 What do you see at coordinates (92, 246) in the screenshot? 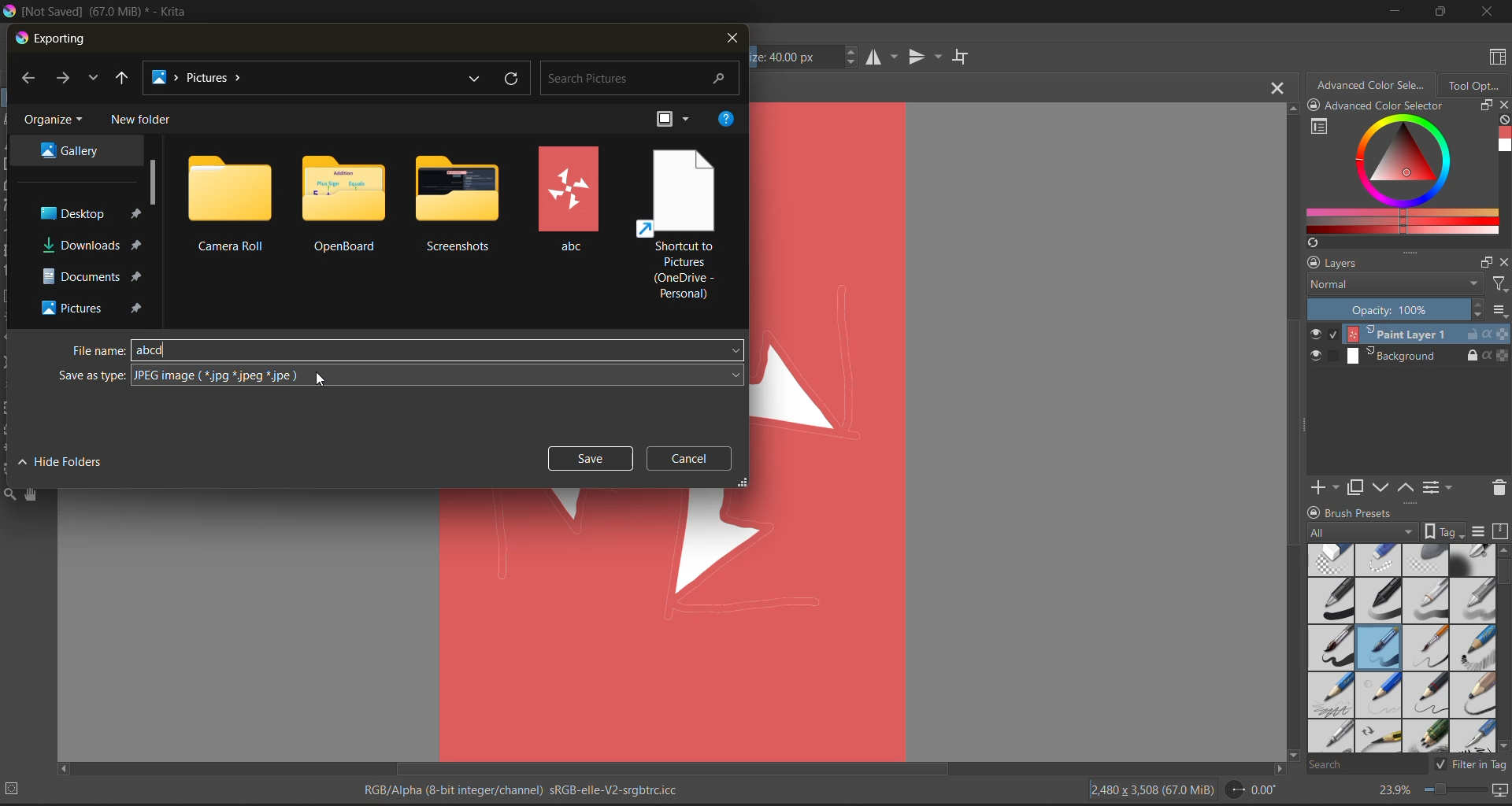
I see `file destination` at bounding box center [92, 246].